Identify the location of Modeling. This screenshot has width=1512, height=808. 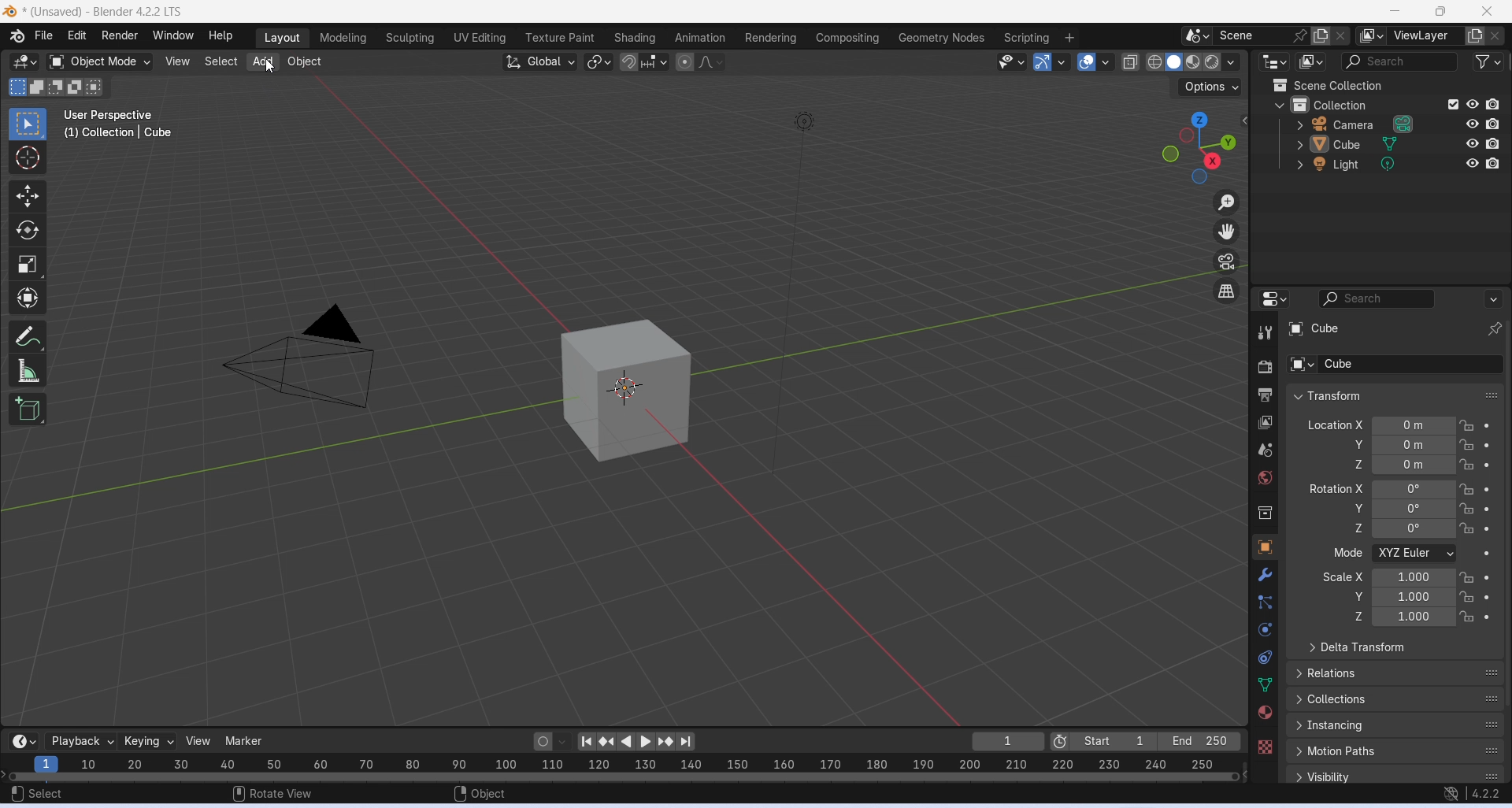
(343, 38).